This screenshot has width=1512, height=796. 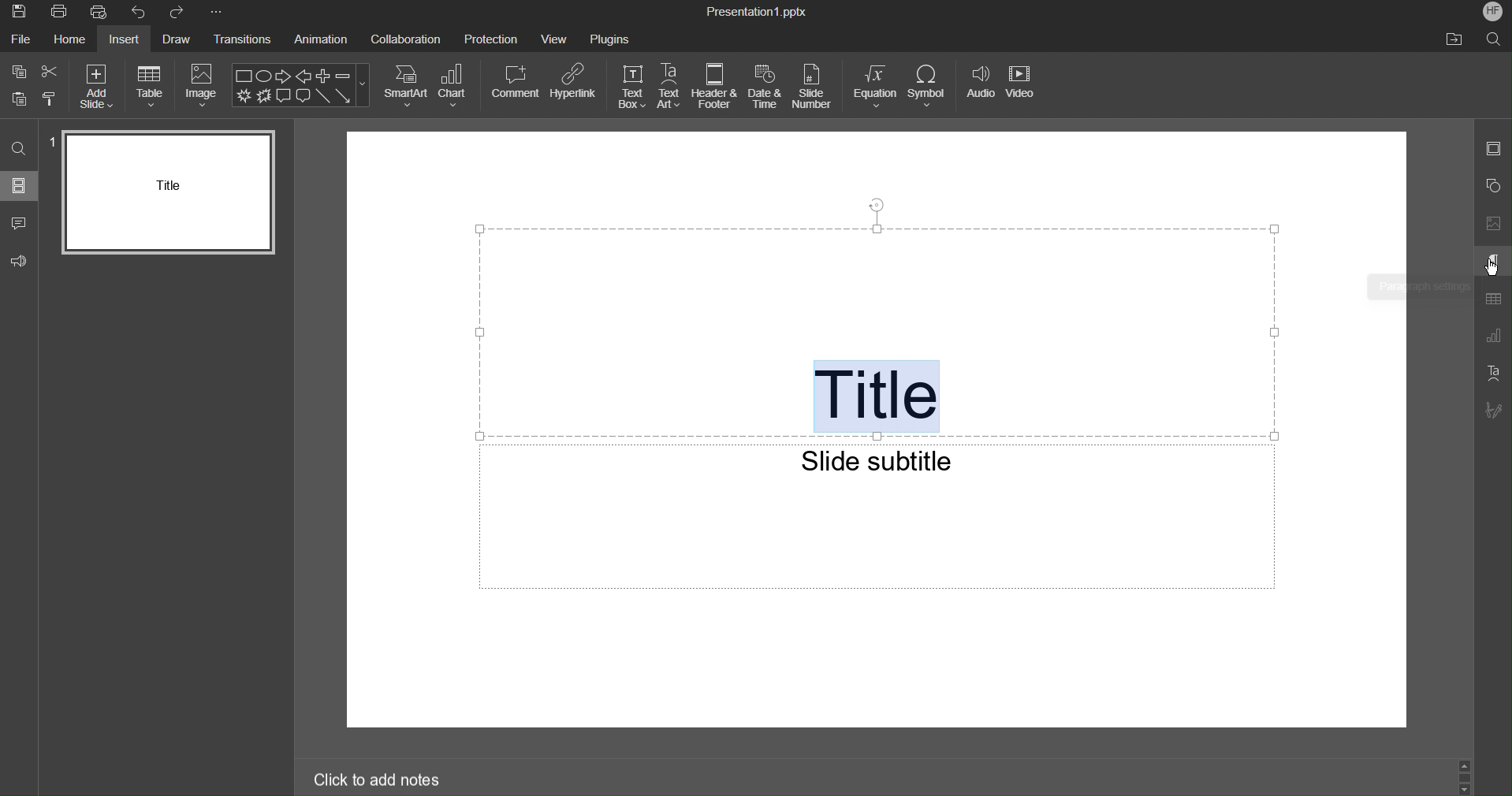 What do you see at coordinates (1466, 777) in the screenshot?
I see `Scroll Up and Down` at bounding box center [1466, 777].